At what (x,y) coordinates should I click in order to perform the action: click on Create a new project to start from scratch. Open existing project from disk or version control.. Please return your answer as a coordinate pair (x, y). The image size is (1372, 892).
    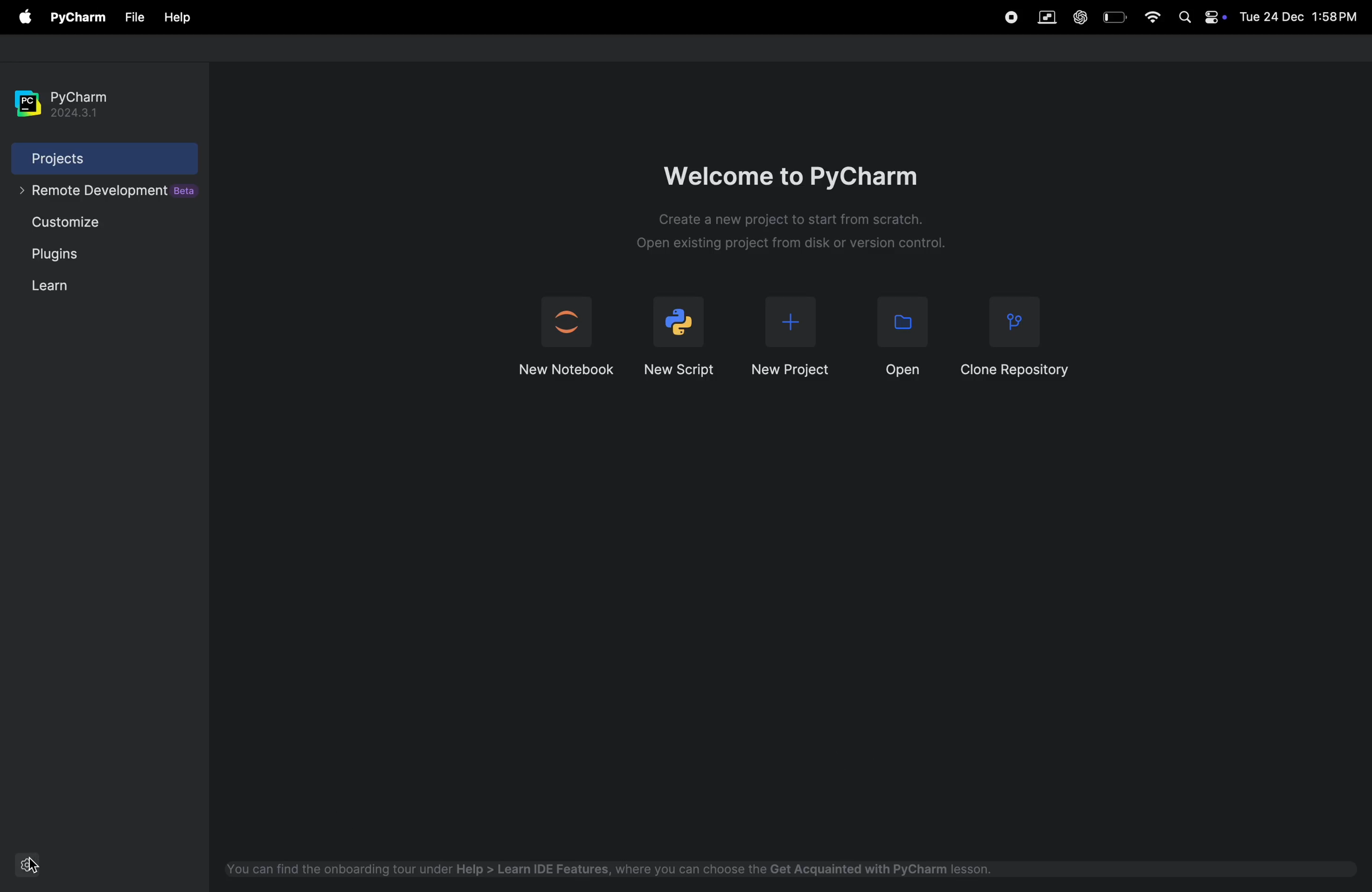
    Looking at the image, I should click on (787, 234).